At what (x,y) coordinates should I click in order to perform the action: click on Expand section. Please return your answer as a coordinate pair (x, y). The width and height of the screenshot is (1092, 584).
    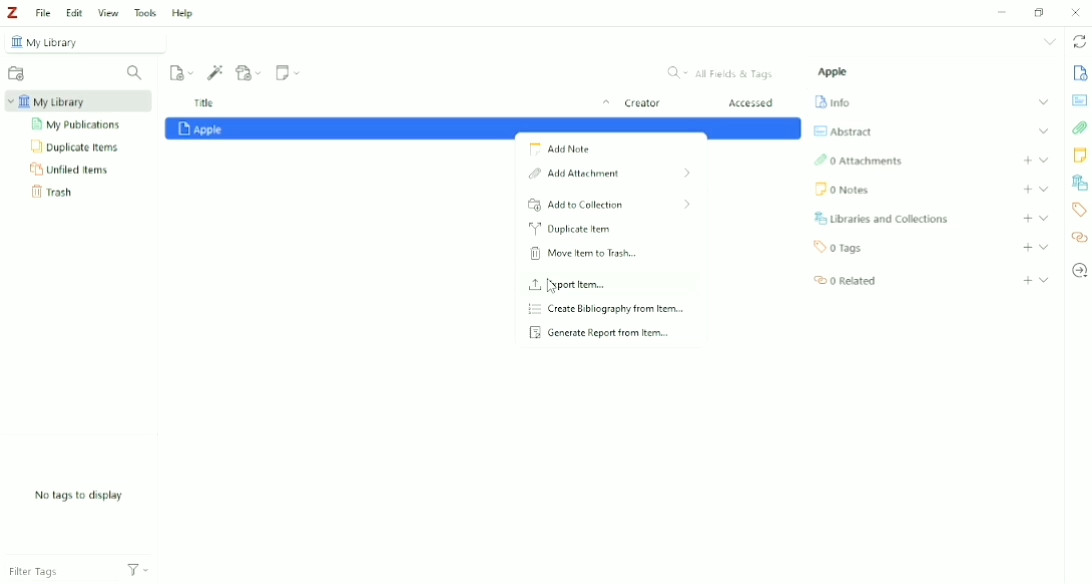
    Looking at the image, I should click on (1044, 188).